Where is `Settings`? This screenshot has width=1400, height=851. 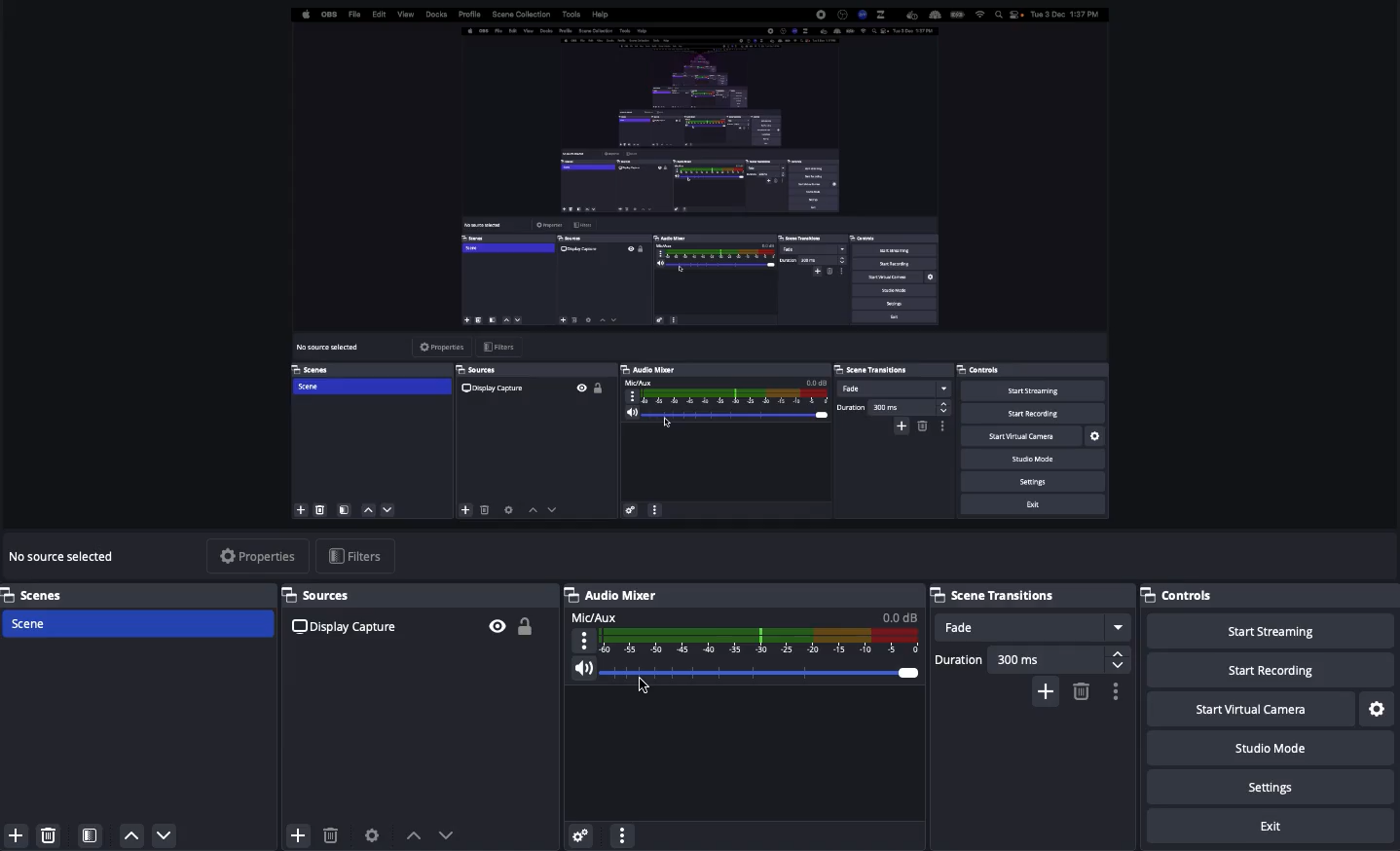 Settings is located at coordinates (579, 832).